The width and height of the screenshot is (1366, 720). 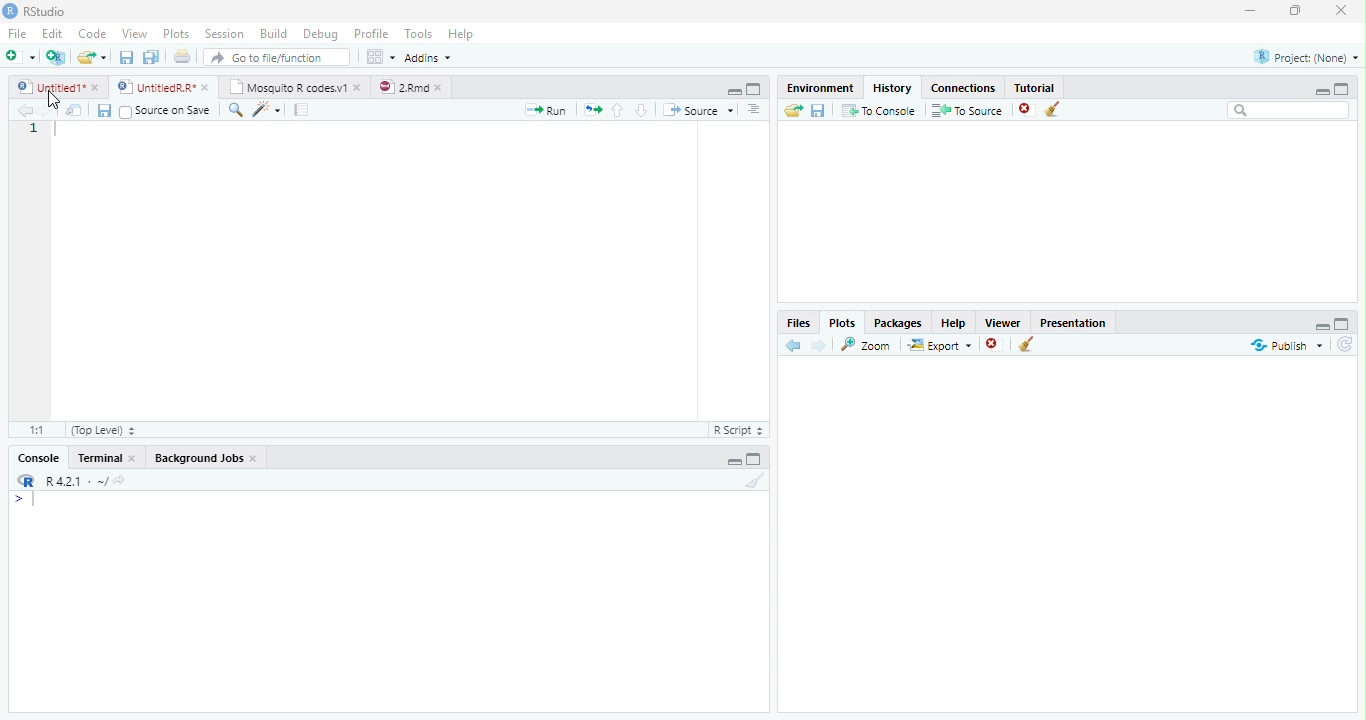 What do you see at coordinates (207, 456) in the screenshot?
I see `Background Jobs` at bounding box center [207, 456].